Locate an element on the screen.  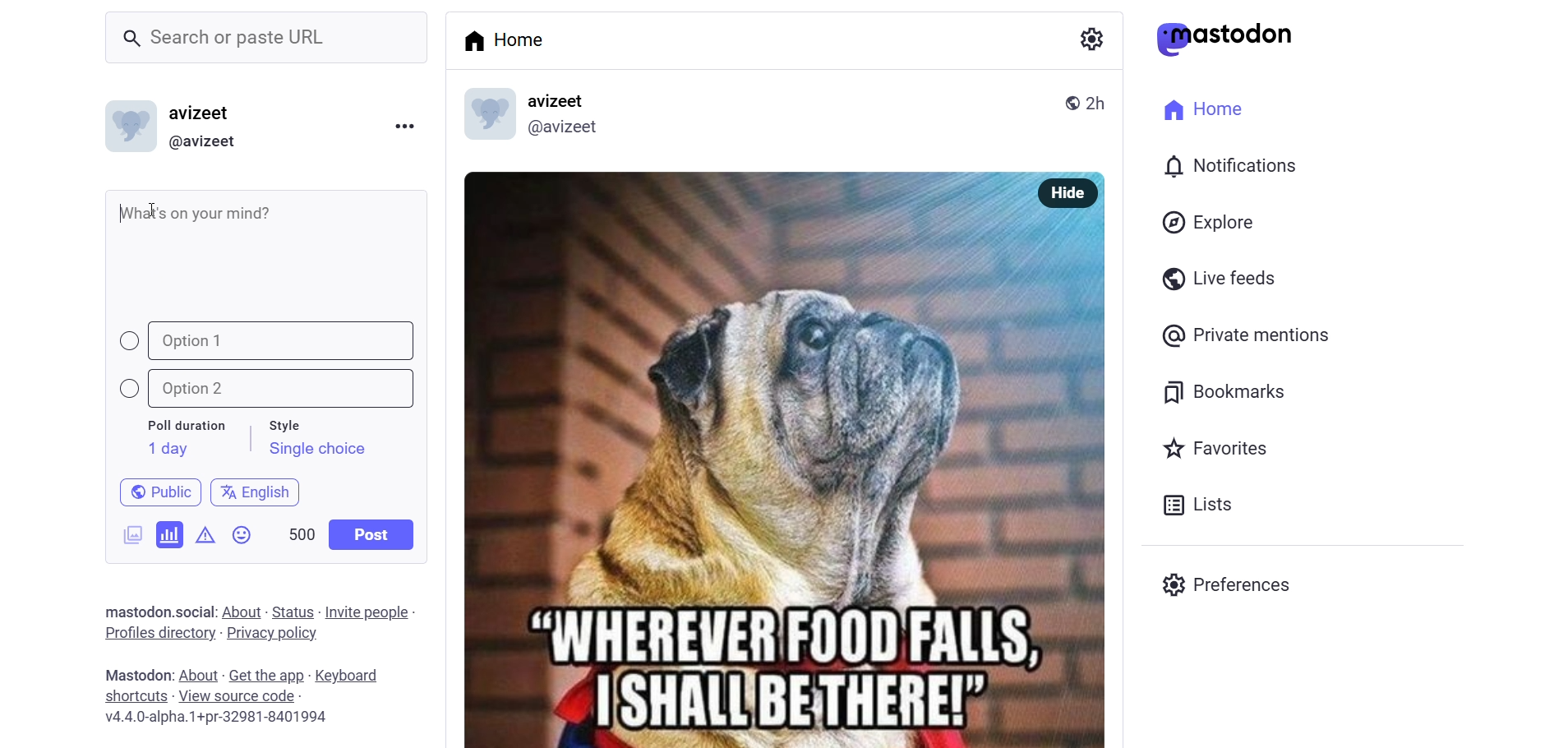
explore is located at coordinates (1211, 222).